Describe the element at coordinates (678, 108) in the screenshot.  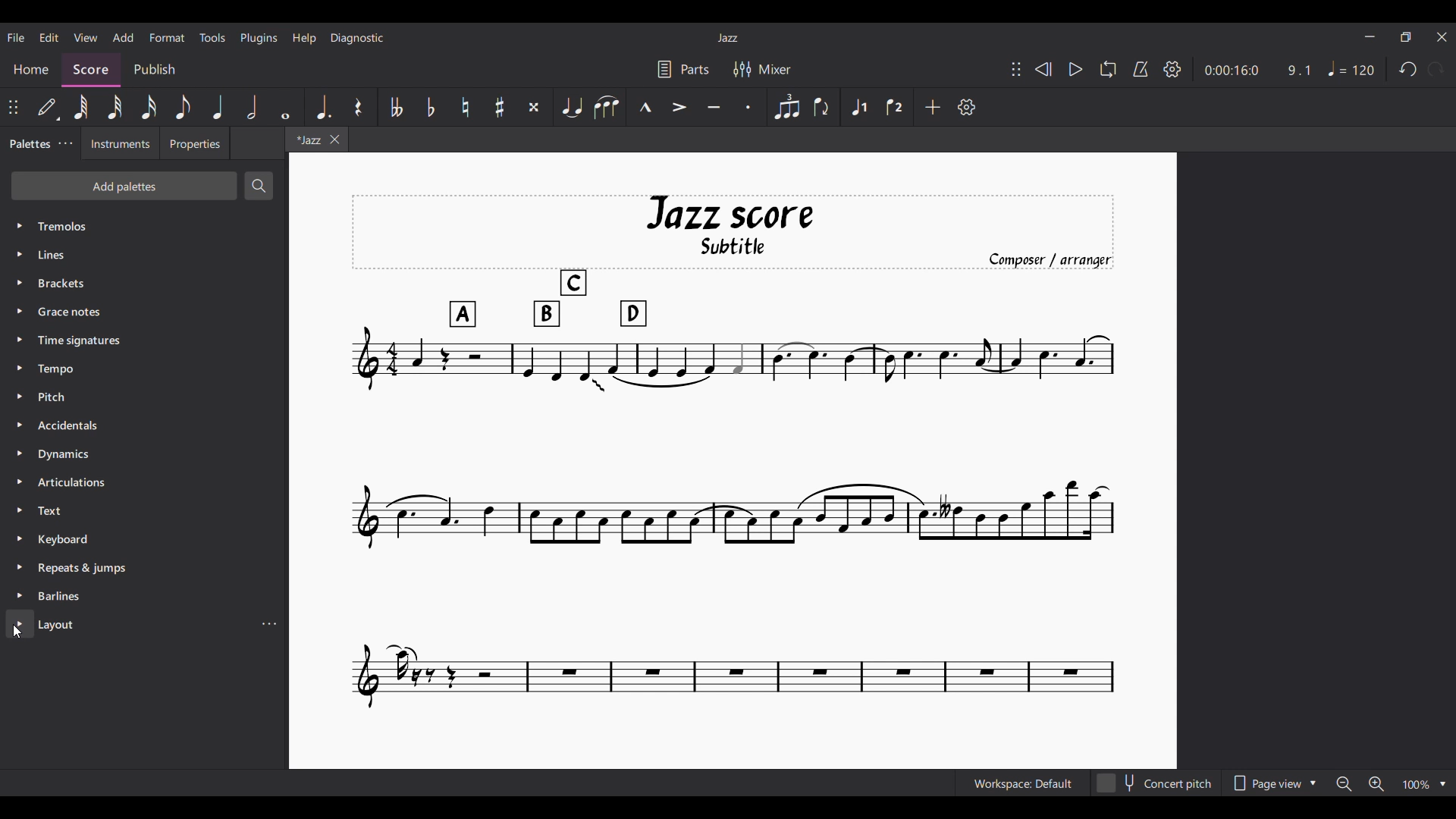
I see `Accent` at that location.